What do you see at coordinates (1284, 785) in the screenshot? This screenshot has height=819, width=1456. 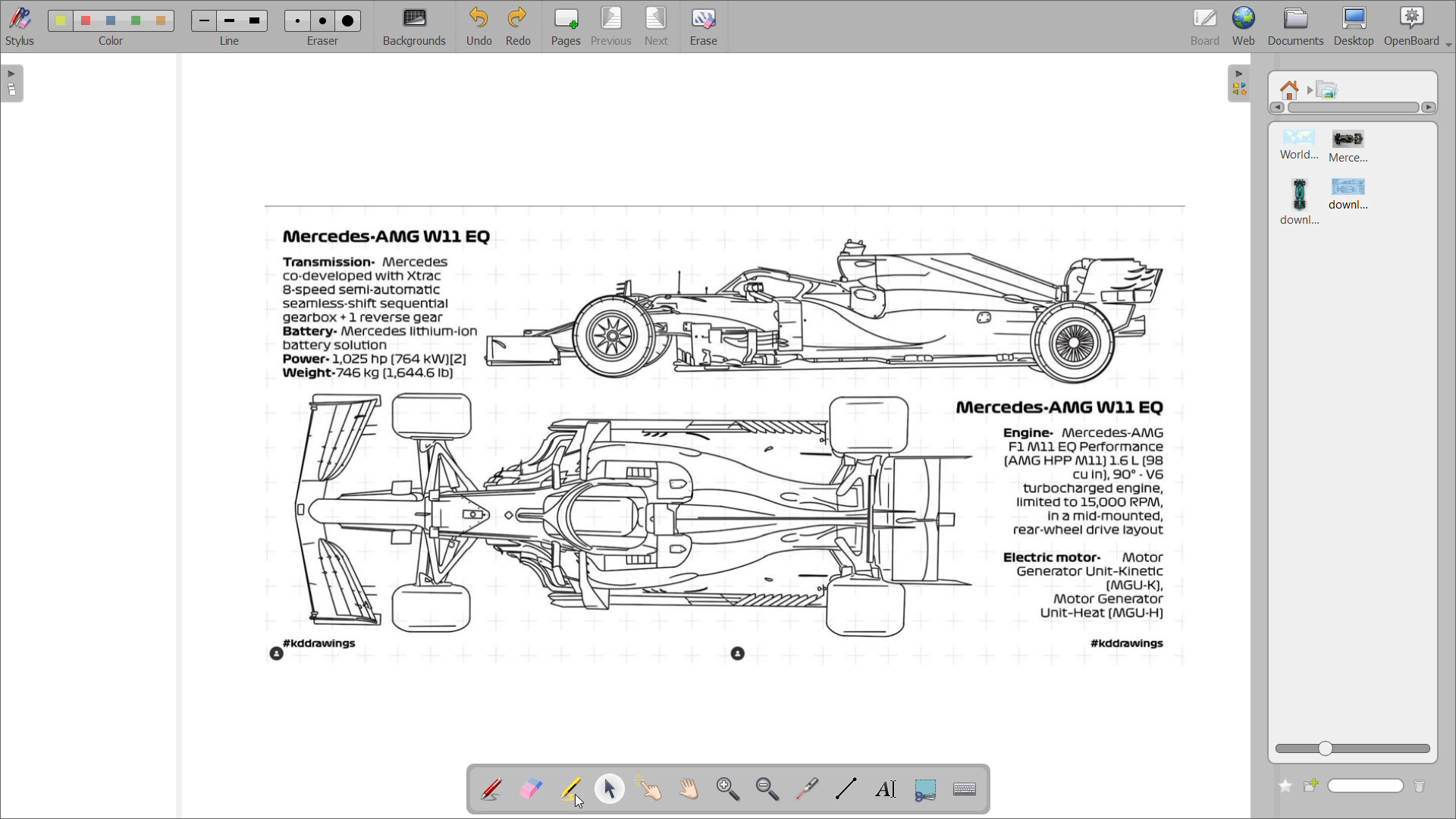 I see `add to favourites` at bounding box center [1284, 785].